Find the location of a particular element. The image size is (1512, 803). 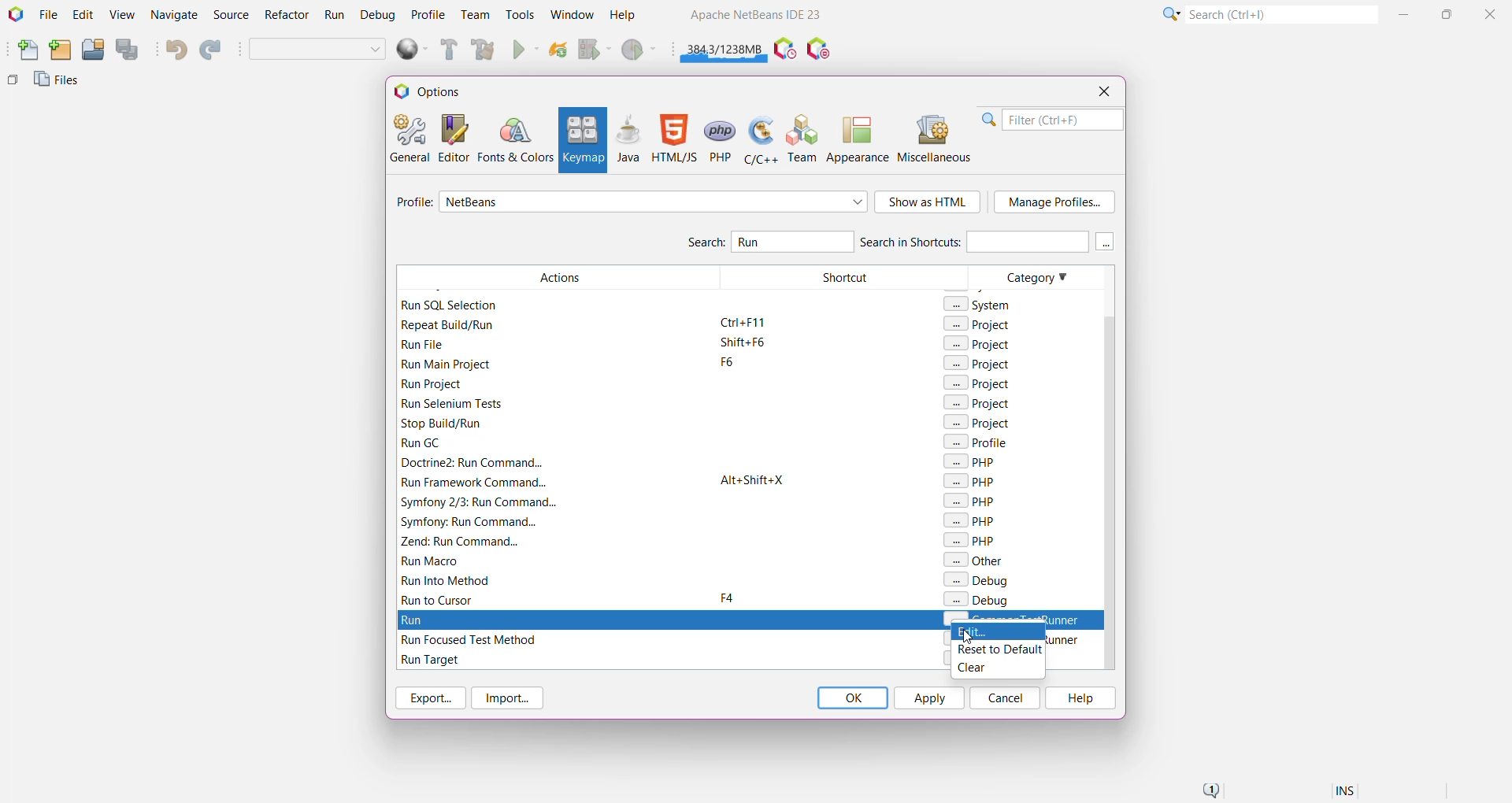

Edit is located at coordinates (83, 16).